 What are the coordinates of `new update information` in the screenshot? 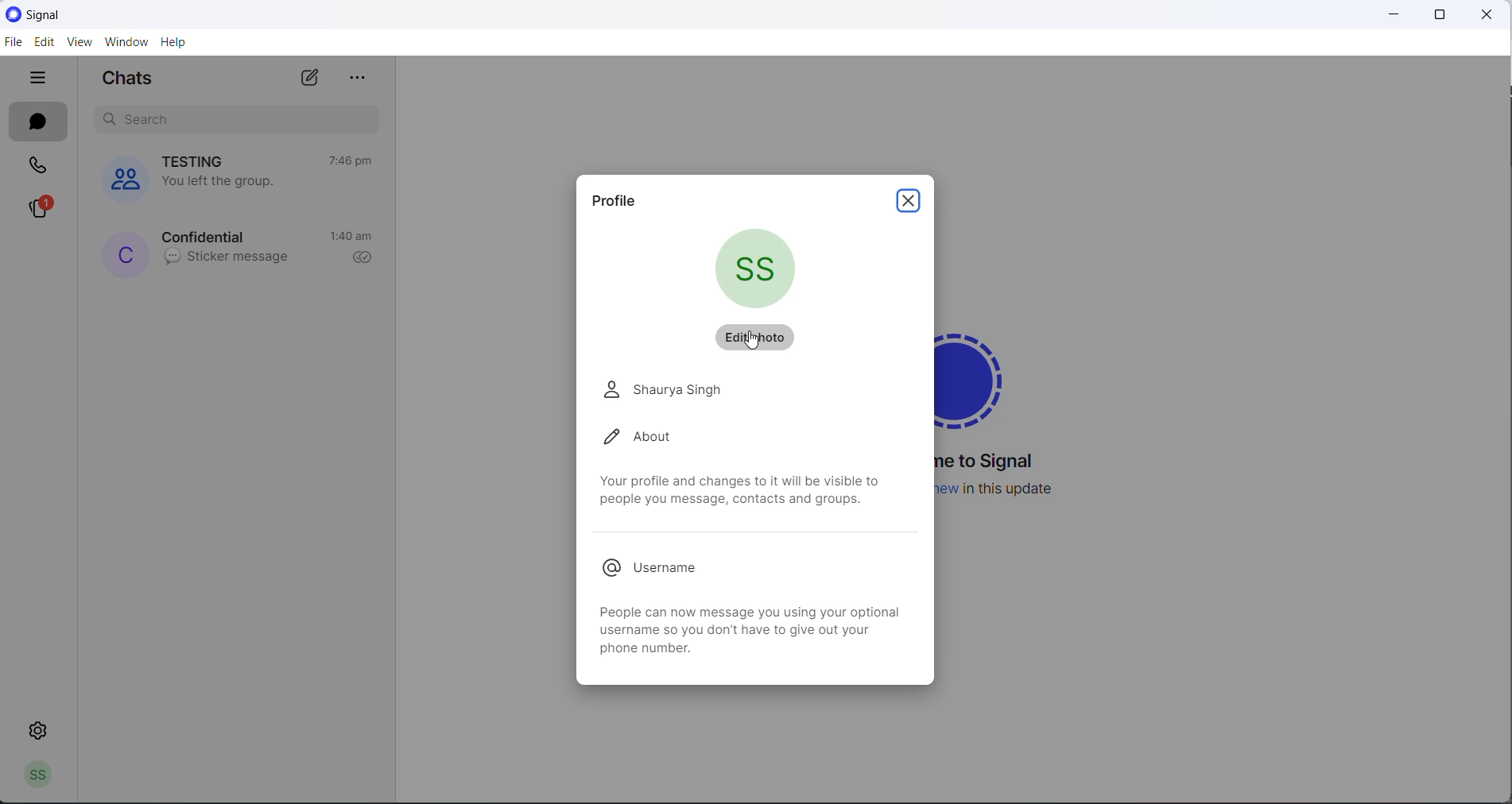 It's located at (1008, 489).